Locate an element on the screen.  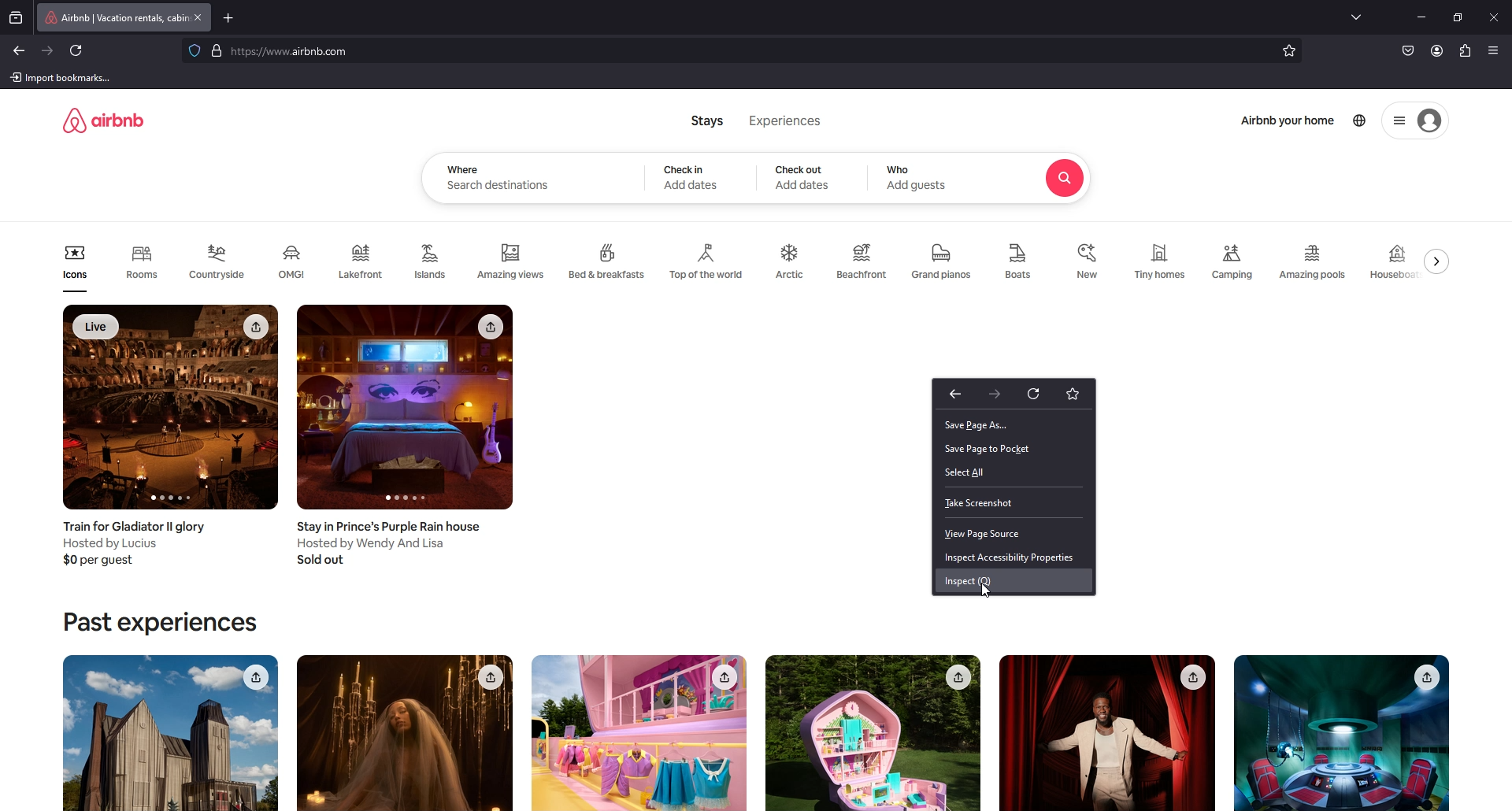
Airbnb your home is located at coordinates (1288, 122).